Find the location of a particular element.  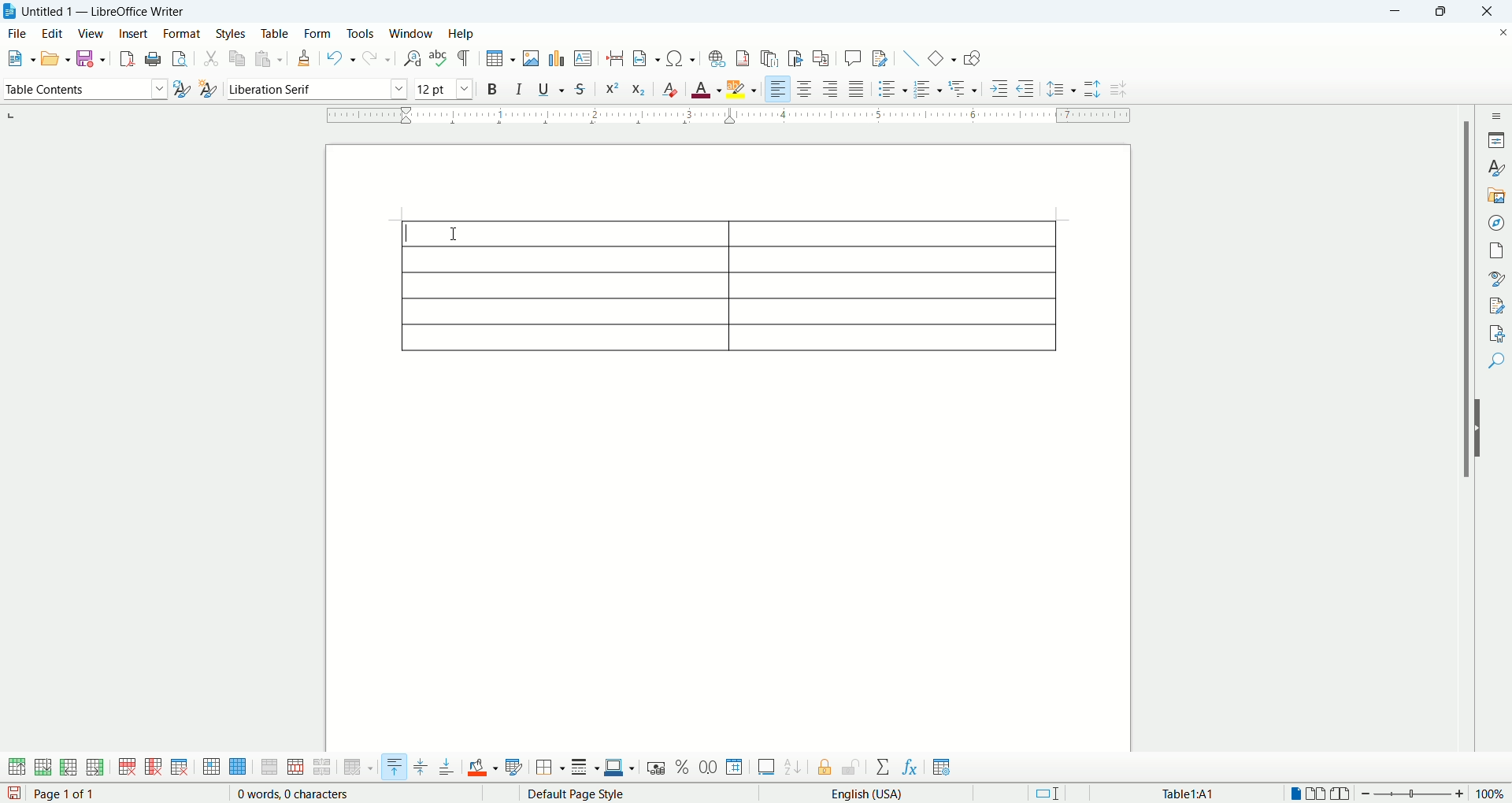

vertical scroll bar is located at coordinates (1462, 442).